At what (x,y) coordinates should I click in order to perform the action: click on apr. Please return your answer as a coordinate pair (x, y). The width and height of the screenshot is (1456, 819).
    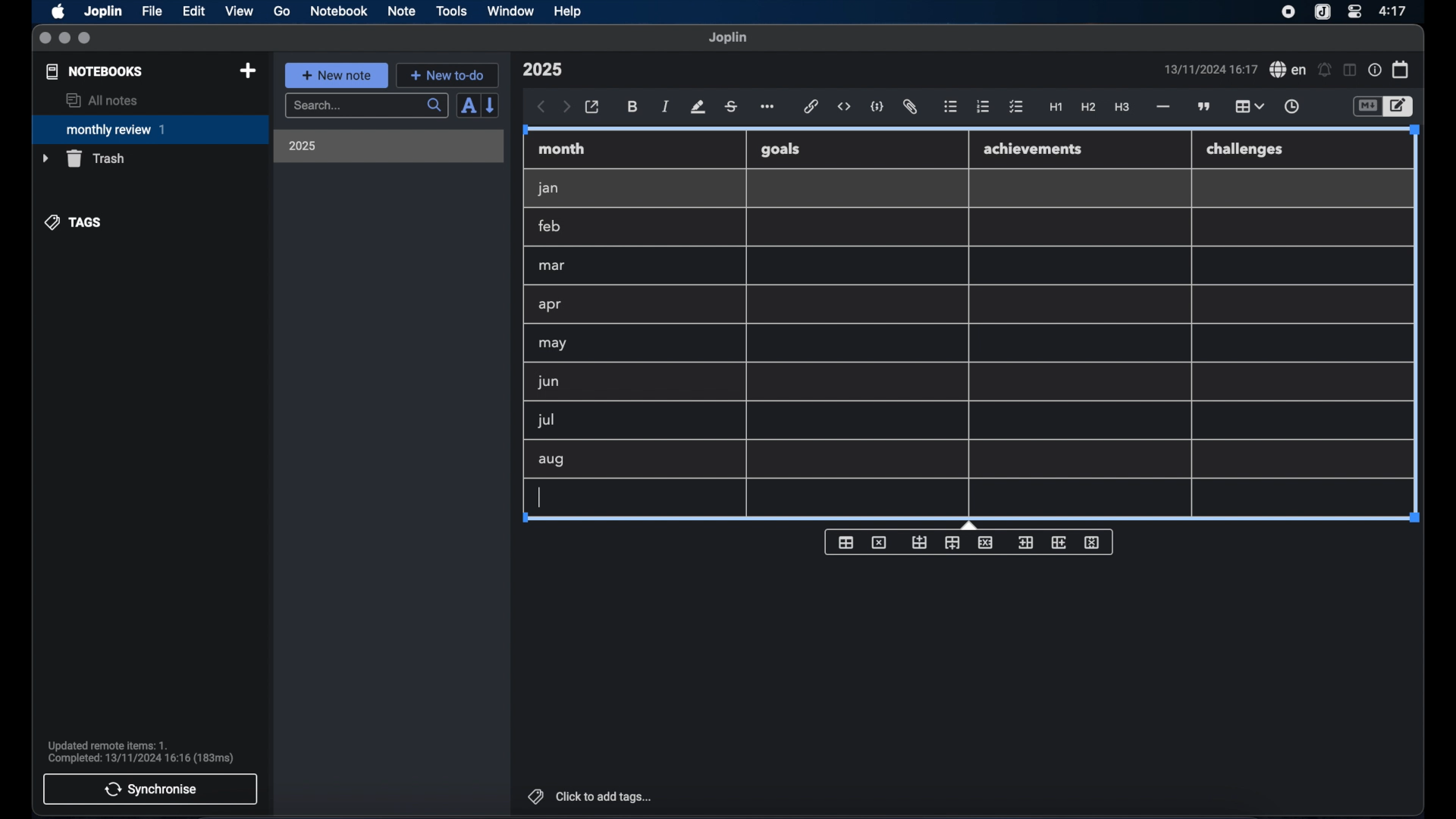
    Looking at the image, I should click on (551, 305).